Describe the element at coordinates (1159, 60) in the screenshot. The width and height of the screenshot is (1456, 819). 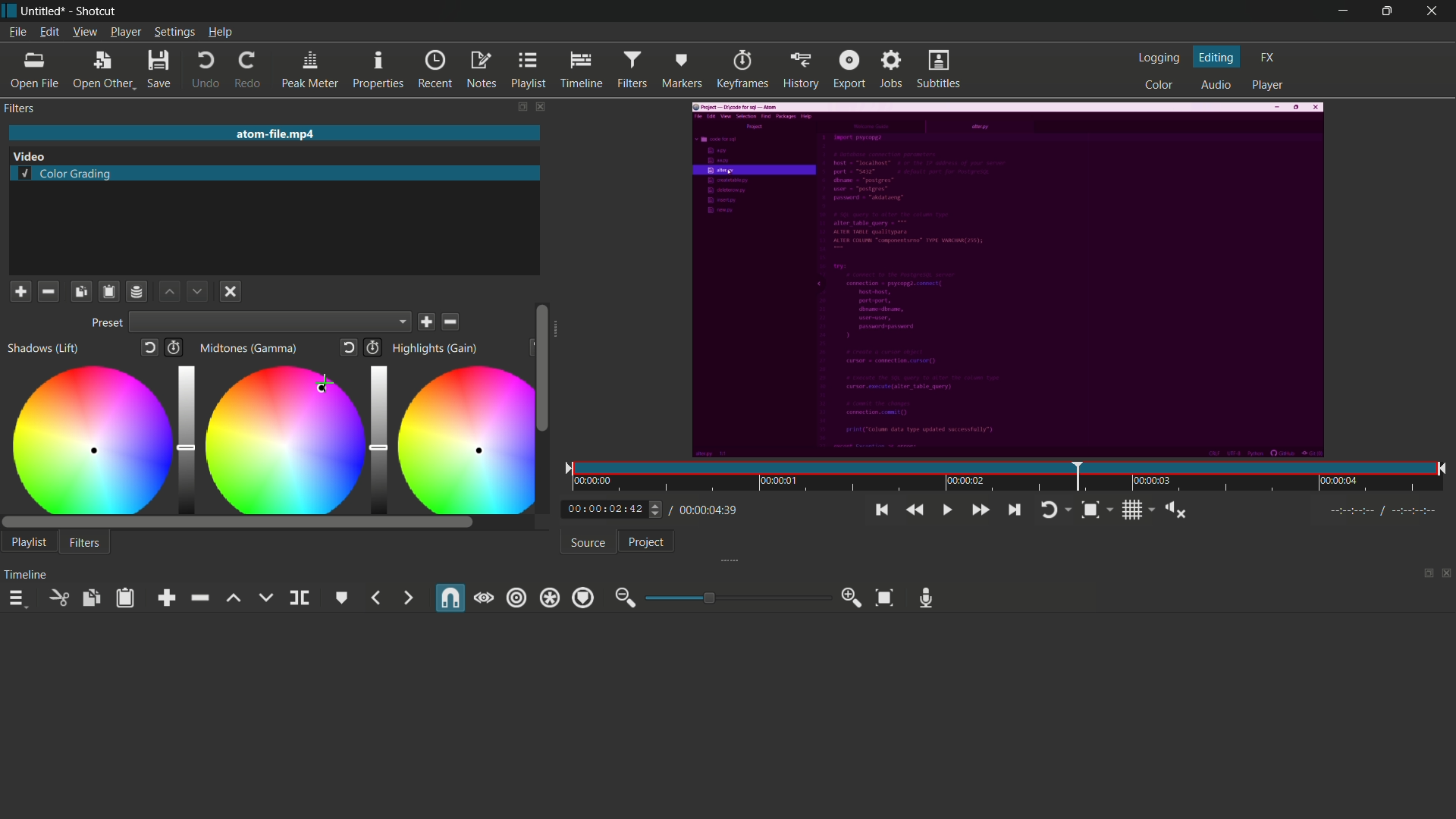
I see `logging` at that location.